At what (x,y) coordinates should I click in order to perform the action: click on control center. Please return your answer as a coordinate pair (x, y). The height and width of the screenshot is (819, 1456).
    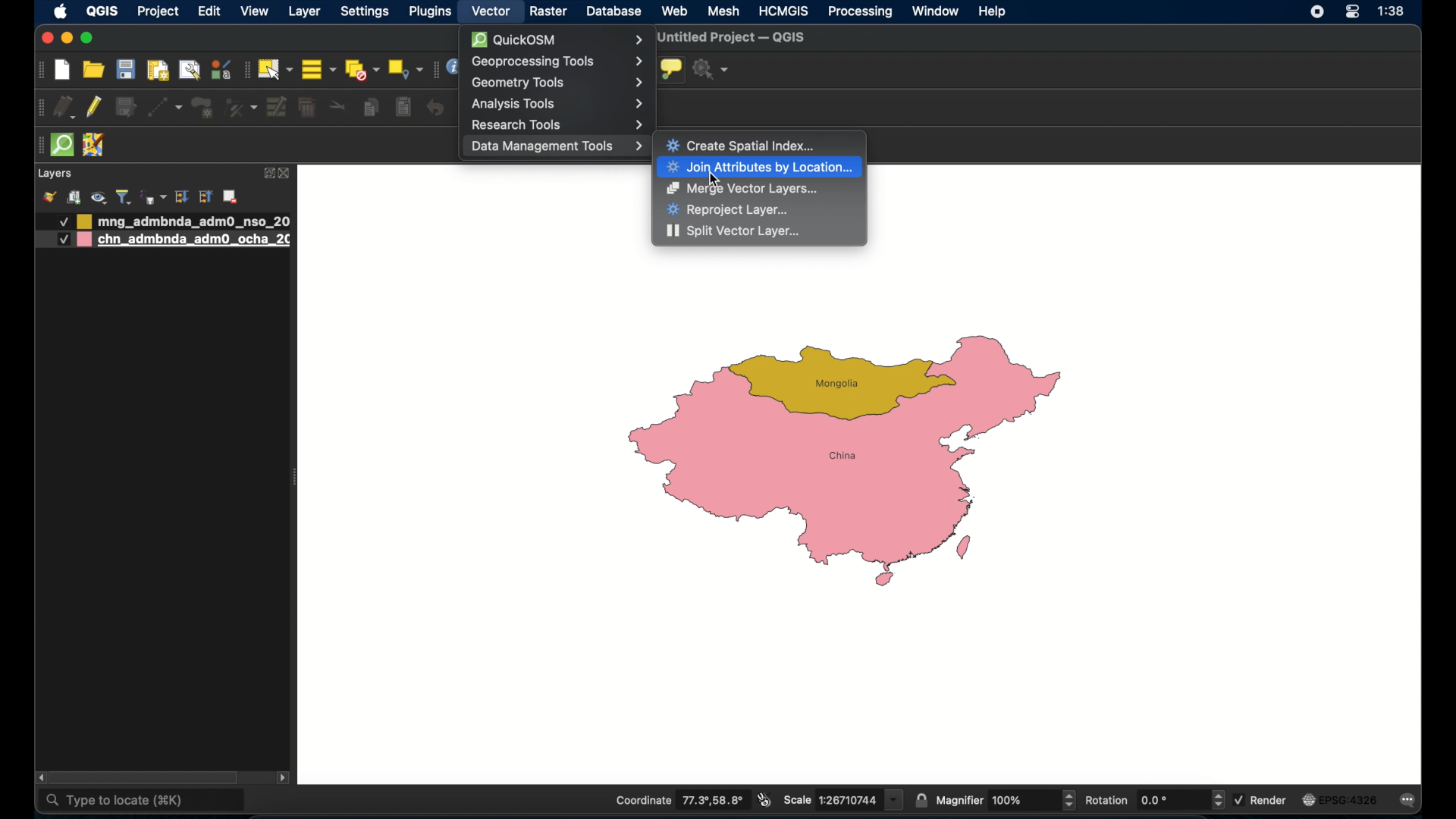
    Looking at the image, I should click on (1353, 11).